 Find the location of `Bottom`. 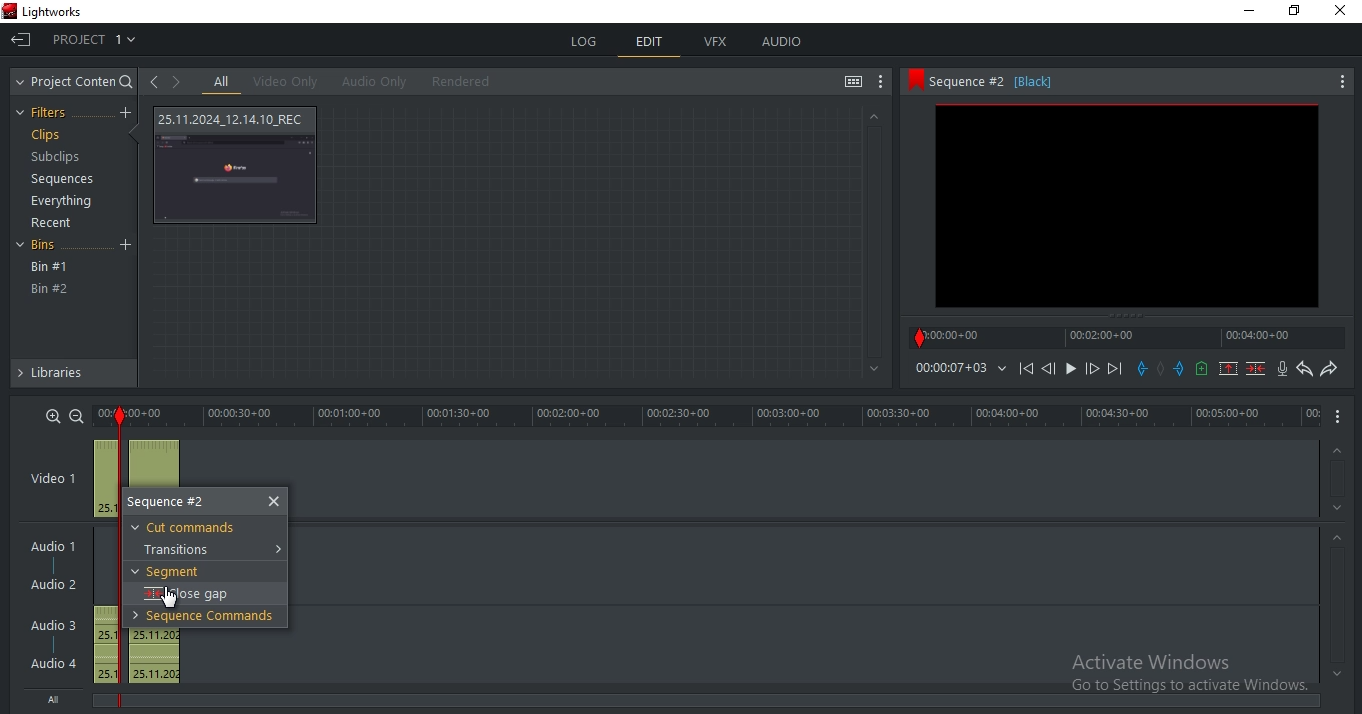

Bottom is located at coordinates (1334, 674).